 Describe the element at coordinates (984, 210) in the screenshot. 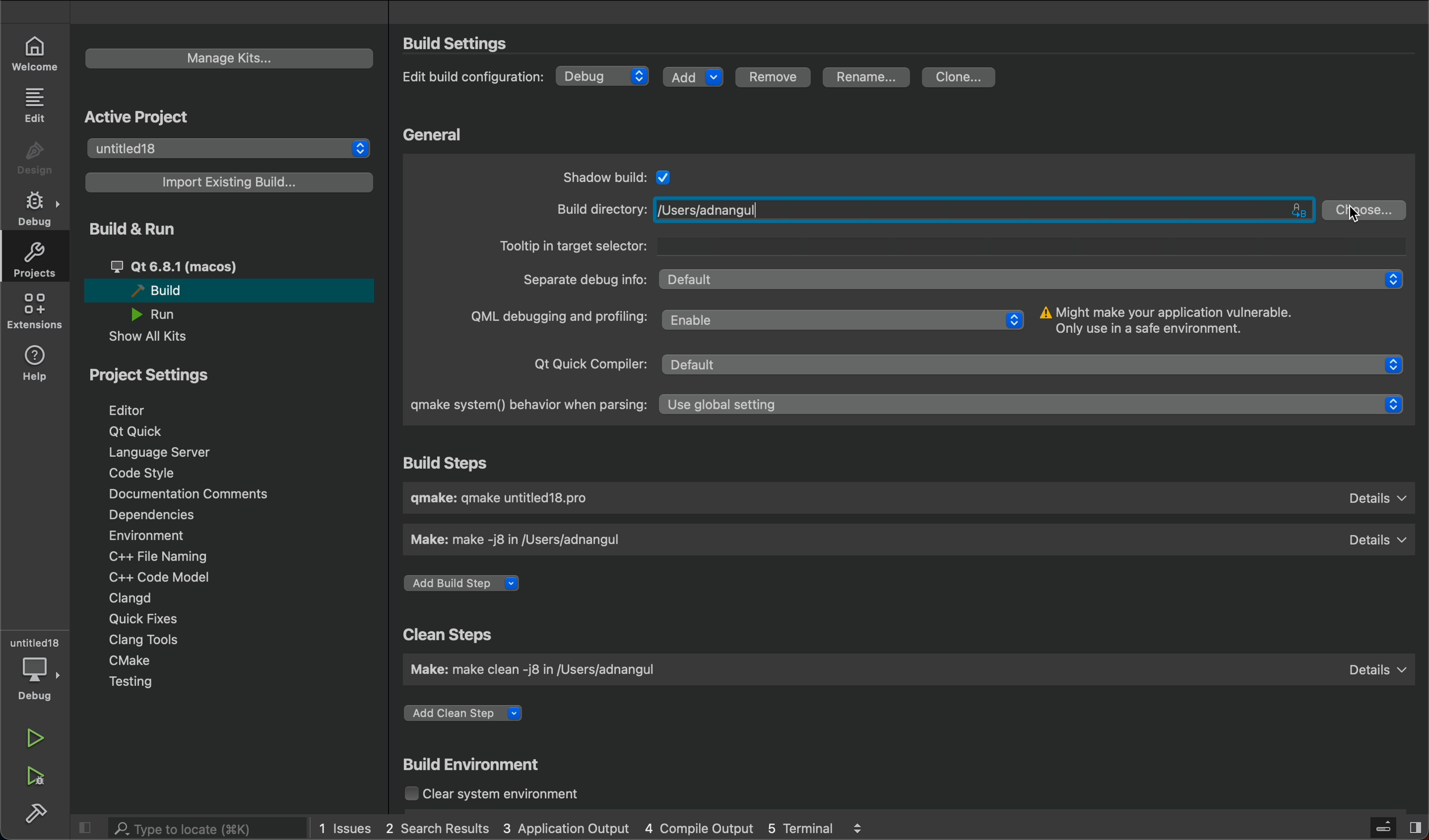

I see `/Users/fadnangul` at that location.